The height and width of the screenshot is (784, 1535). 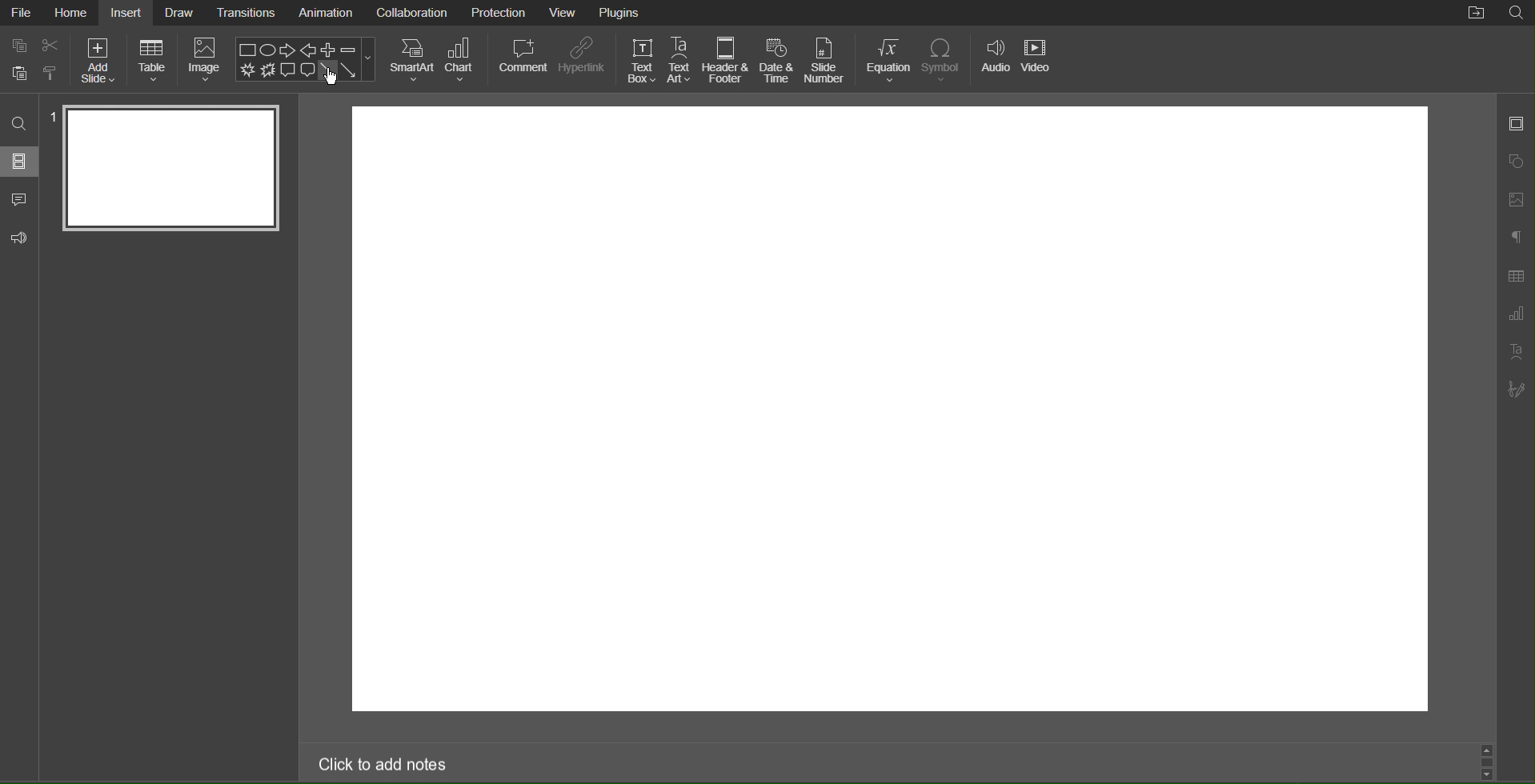 What do you see at coordinates (564, 14) in the screenshot?
I see `View` at bounding box center [564, 14].